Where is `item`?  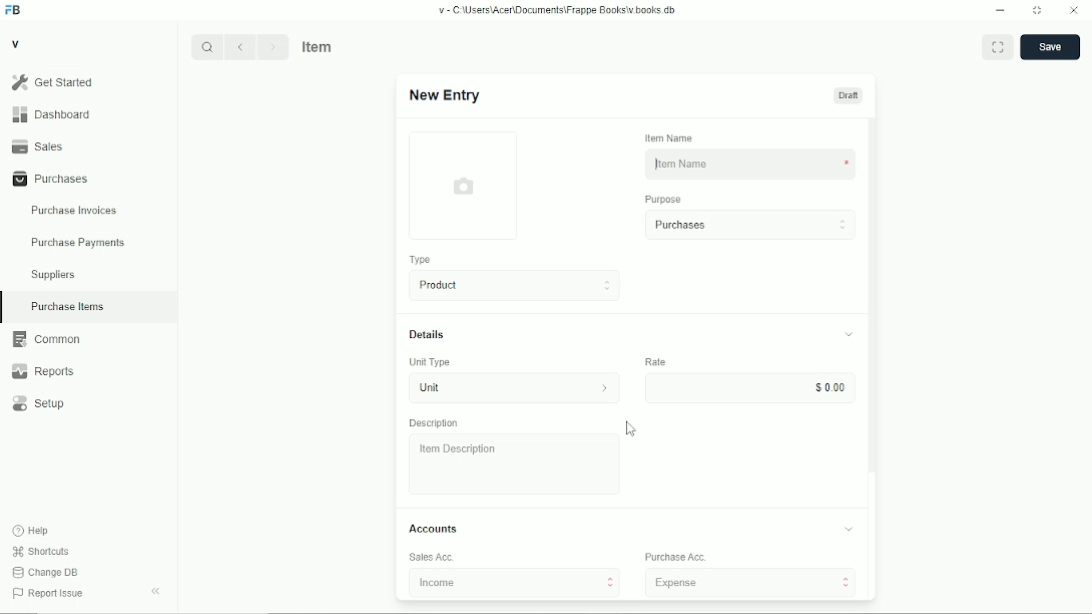
item is located at coordinates (319, 46).